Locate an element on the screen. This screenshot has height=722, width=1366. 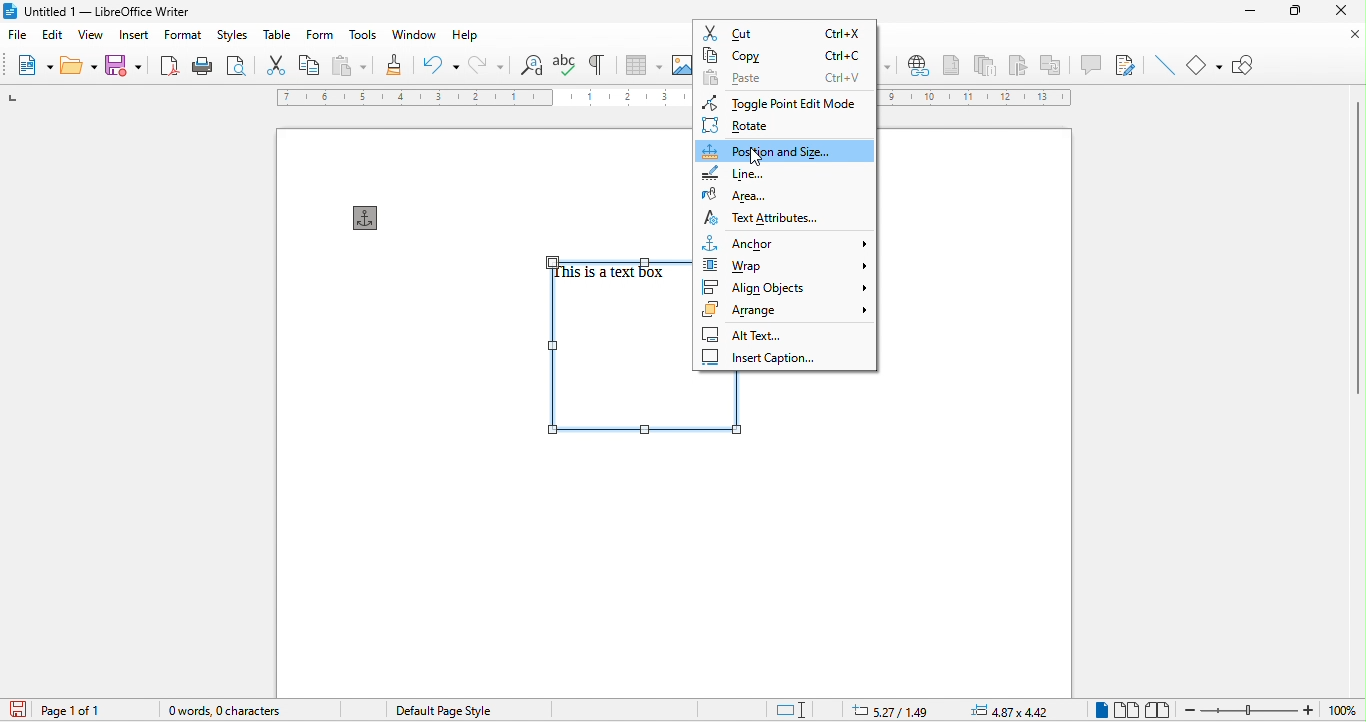
libreoffice logo is located at coordinates (10, 11).